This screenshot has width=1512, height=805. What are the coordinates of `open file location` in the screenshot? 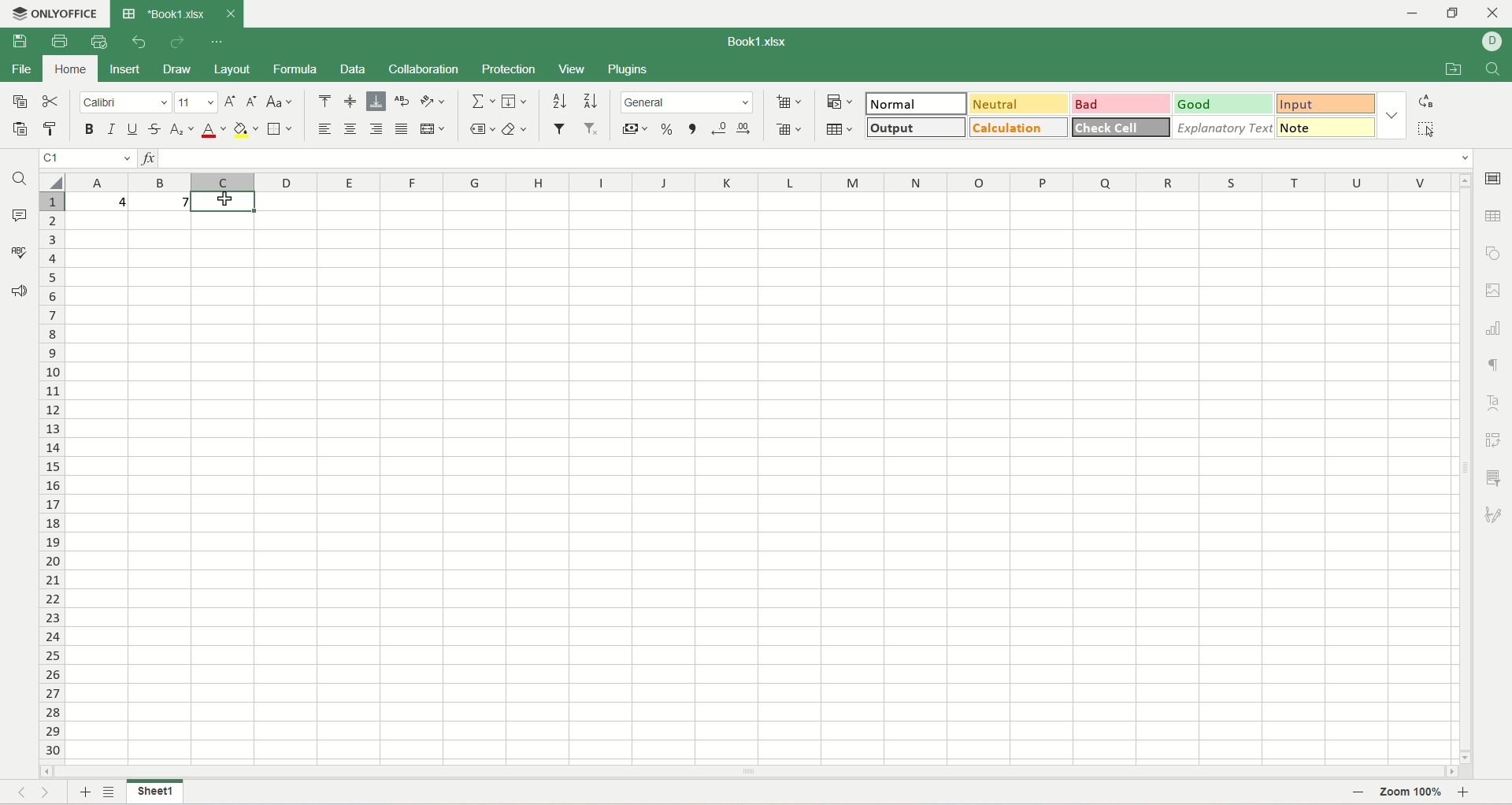 It's located at (1454, 69).